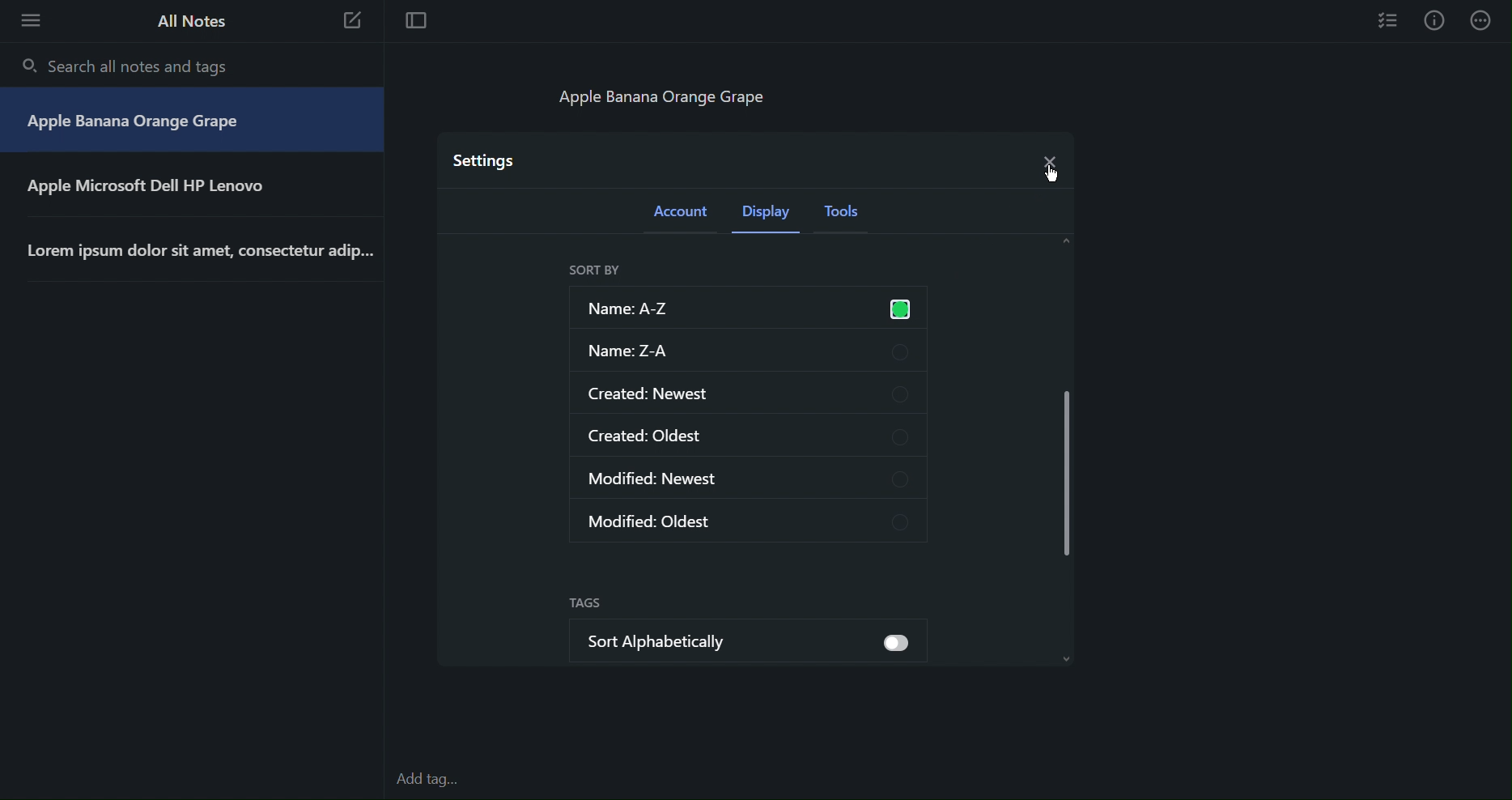  Describe the element at coordinates (770, 216) in the screenshot. I see `Display` at that location.